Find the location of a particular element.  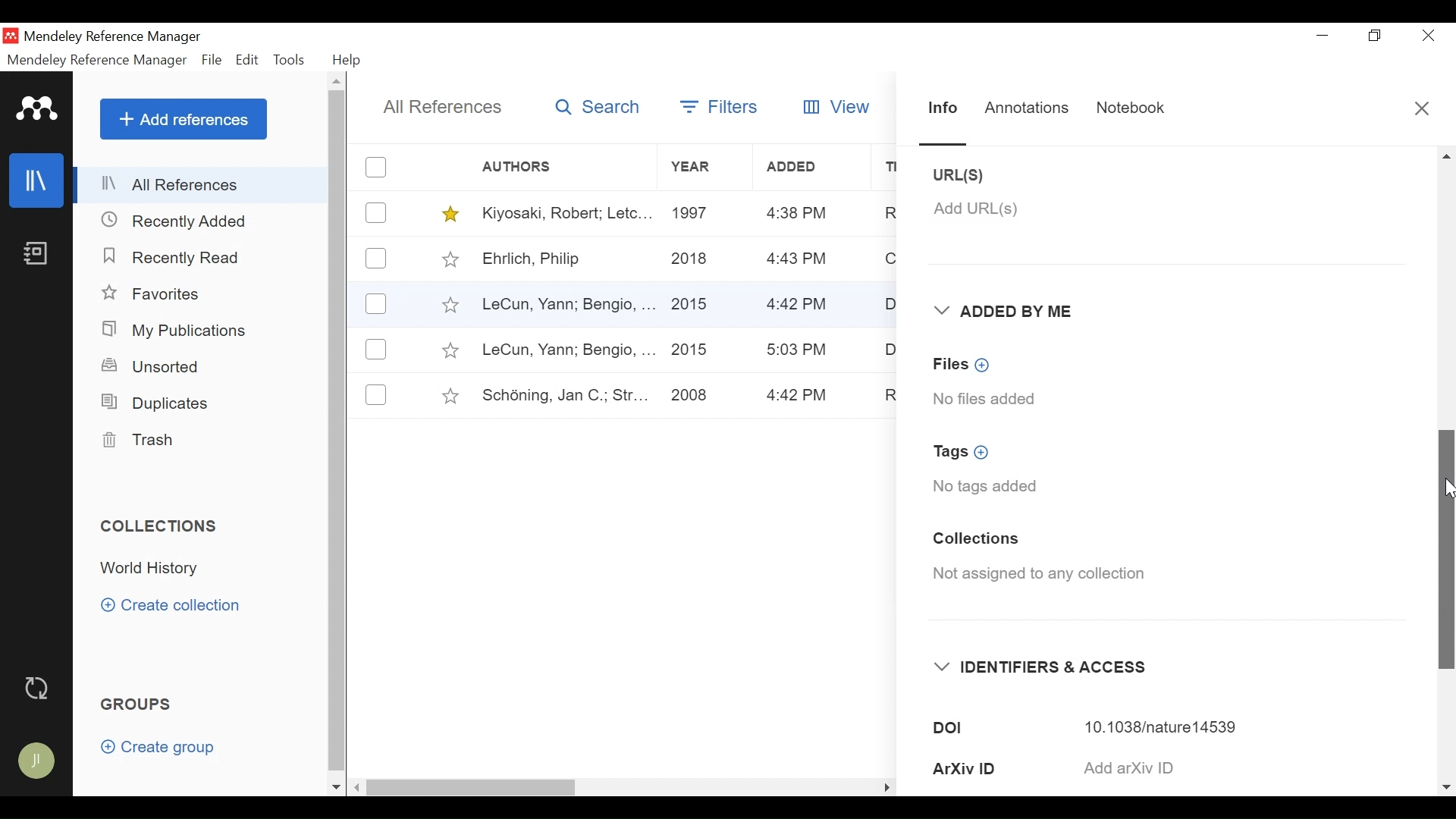

(un)select is located at coordinates (376, 394).